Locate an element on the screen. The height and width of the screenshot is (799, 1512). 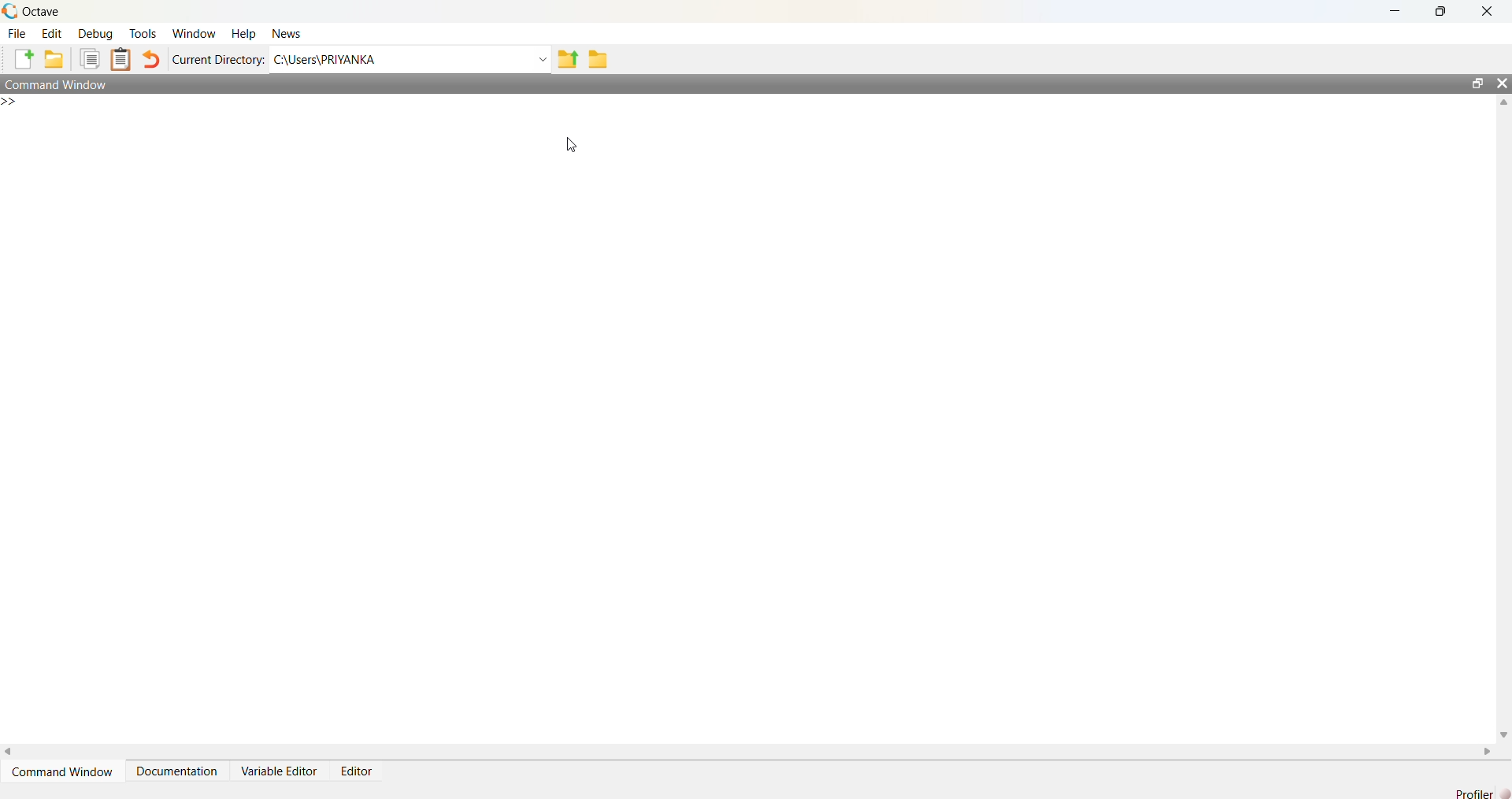
Undo is located at coordinates (152, 60).